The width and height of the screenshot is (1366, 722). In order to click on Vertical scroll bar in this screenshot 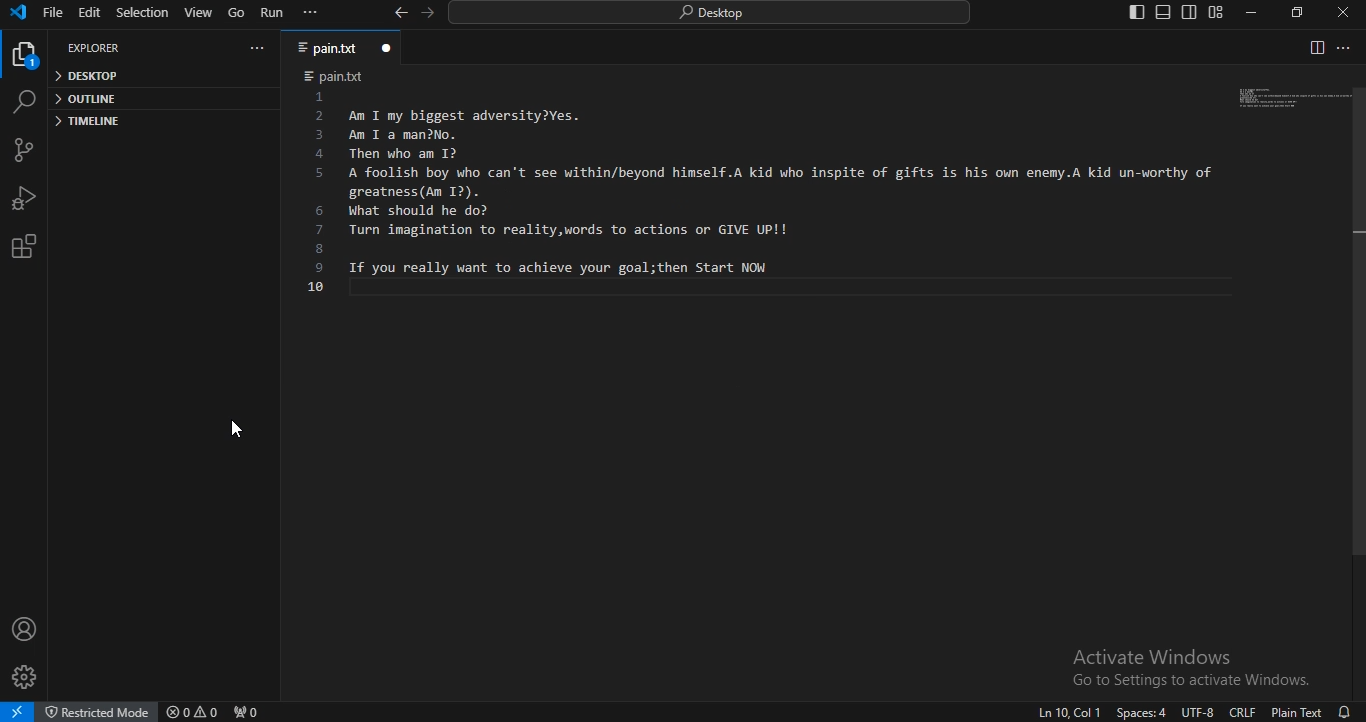, I will do `click(1357, 322)`.